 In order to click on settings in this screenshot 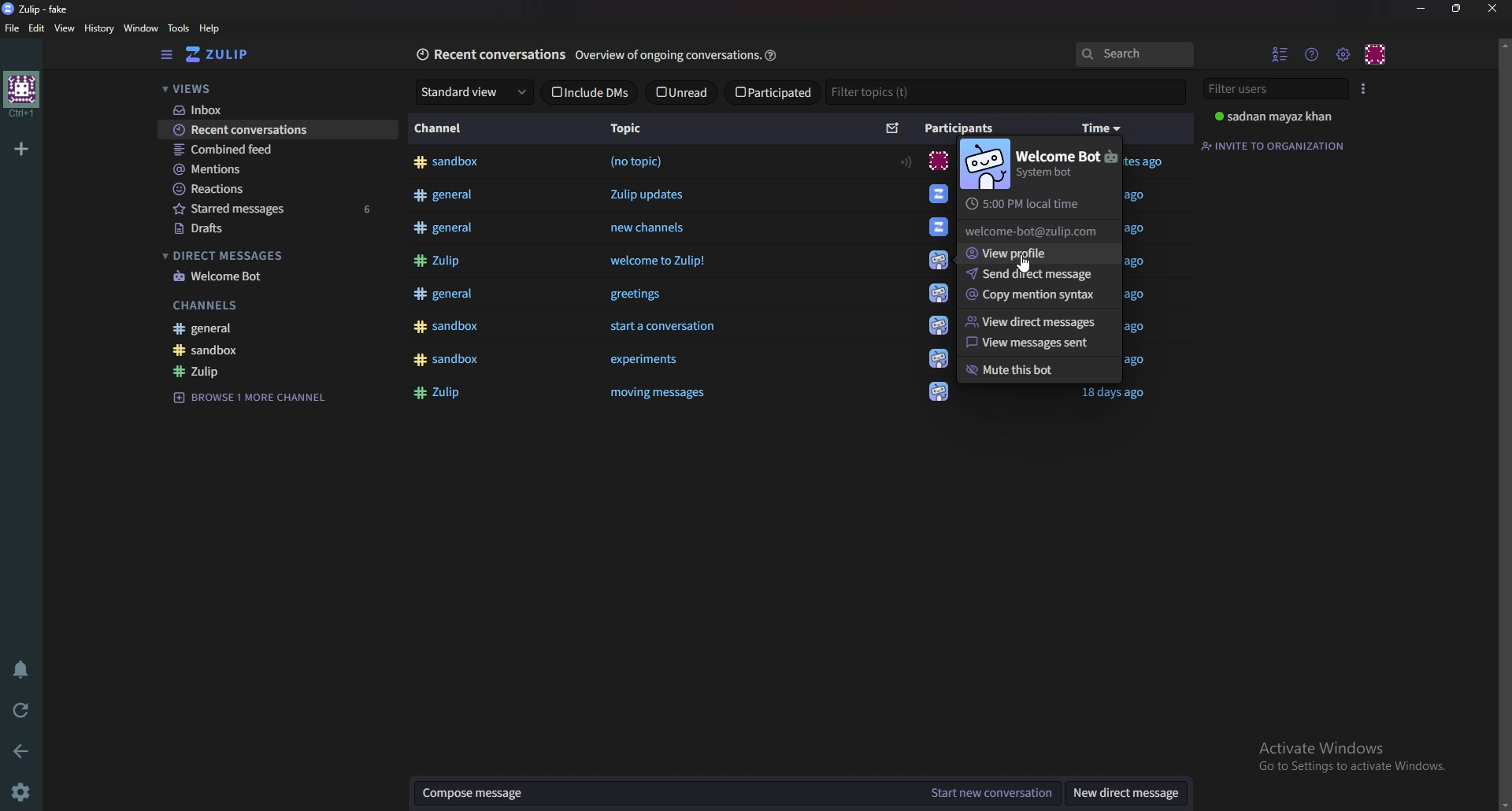, I will do `click(27, 791)`.